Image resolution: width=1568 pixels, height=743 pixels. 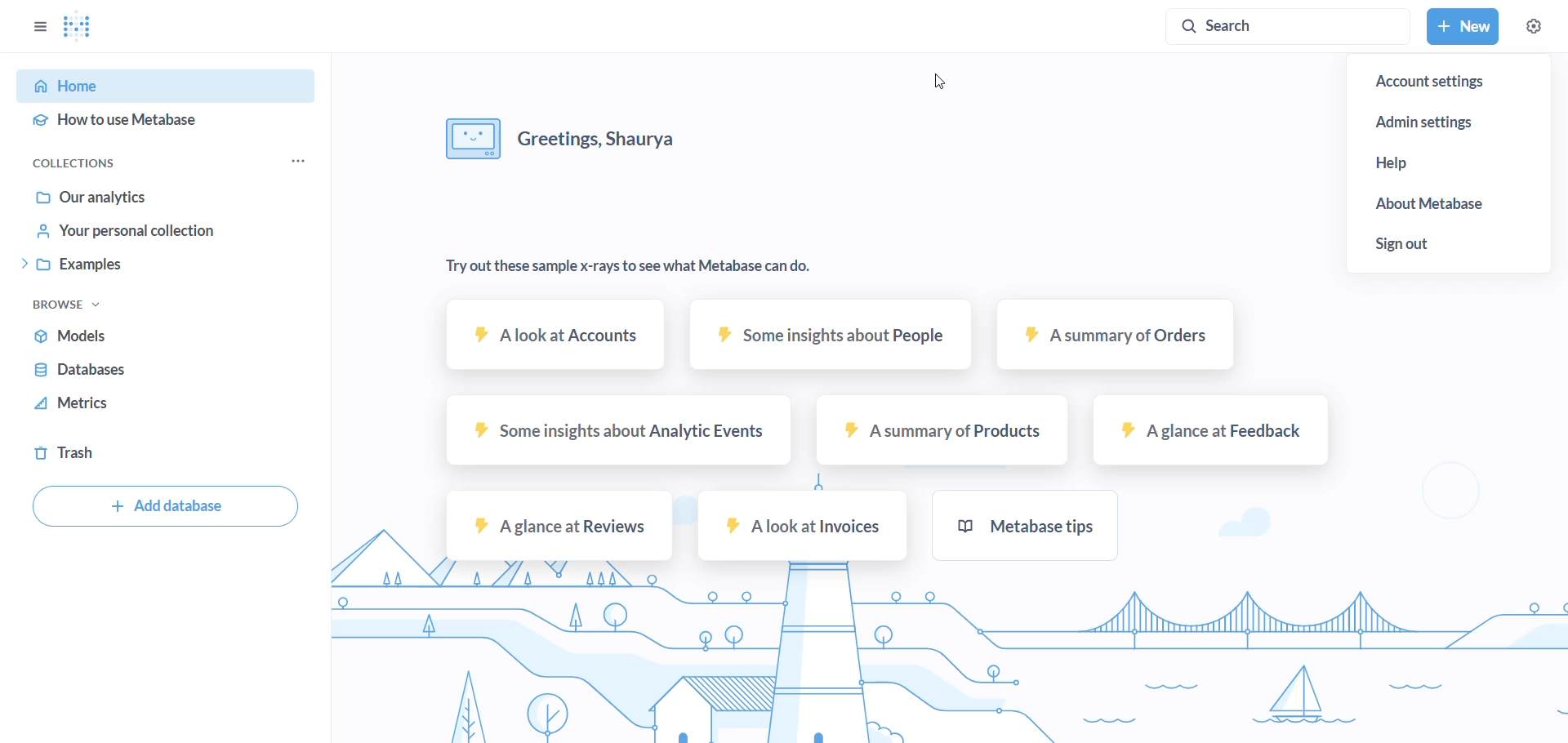 What do you see at coordinates (1438, 204) in the screenshot?
I see `about metabase ` at bounding box center [1438, 204].